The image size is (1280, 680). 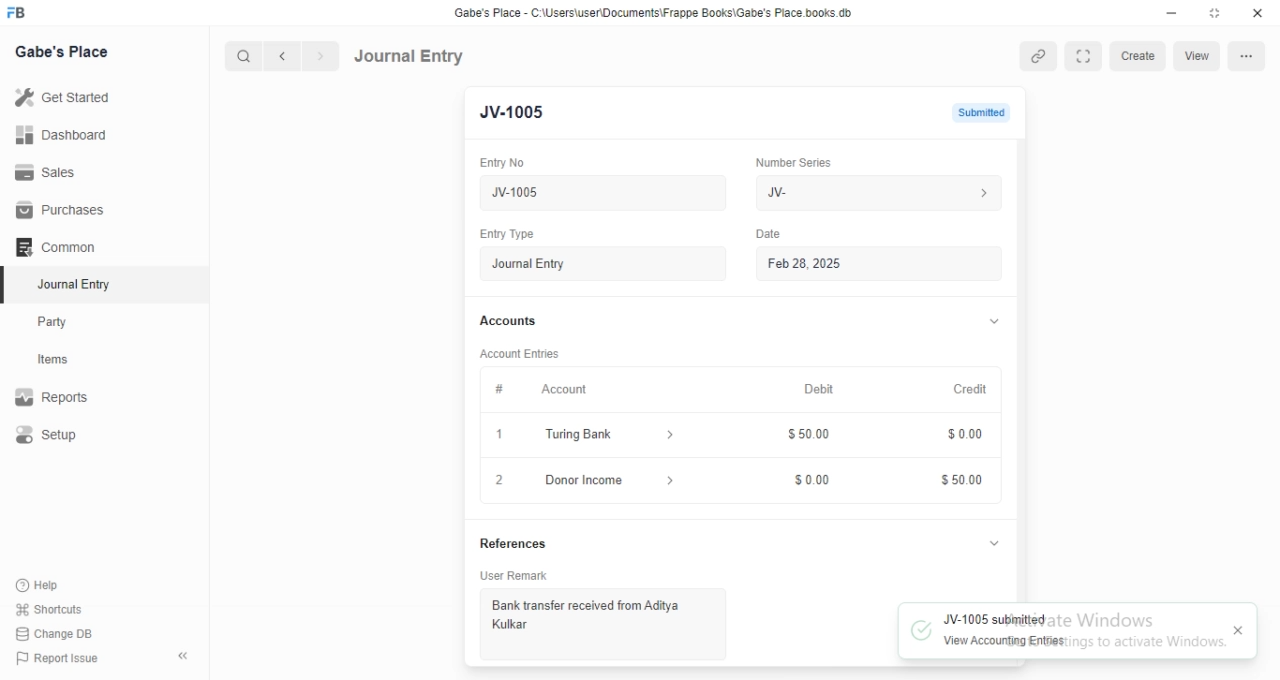 I want to click on User Remark, so click(x=518, y=575).